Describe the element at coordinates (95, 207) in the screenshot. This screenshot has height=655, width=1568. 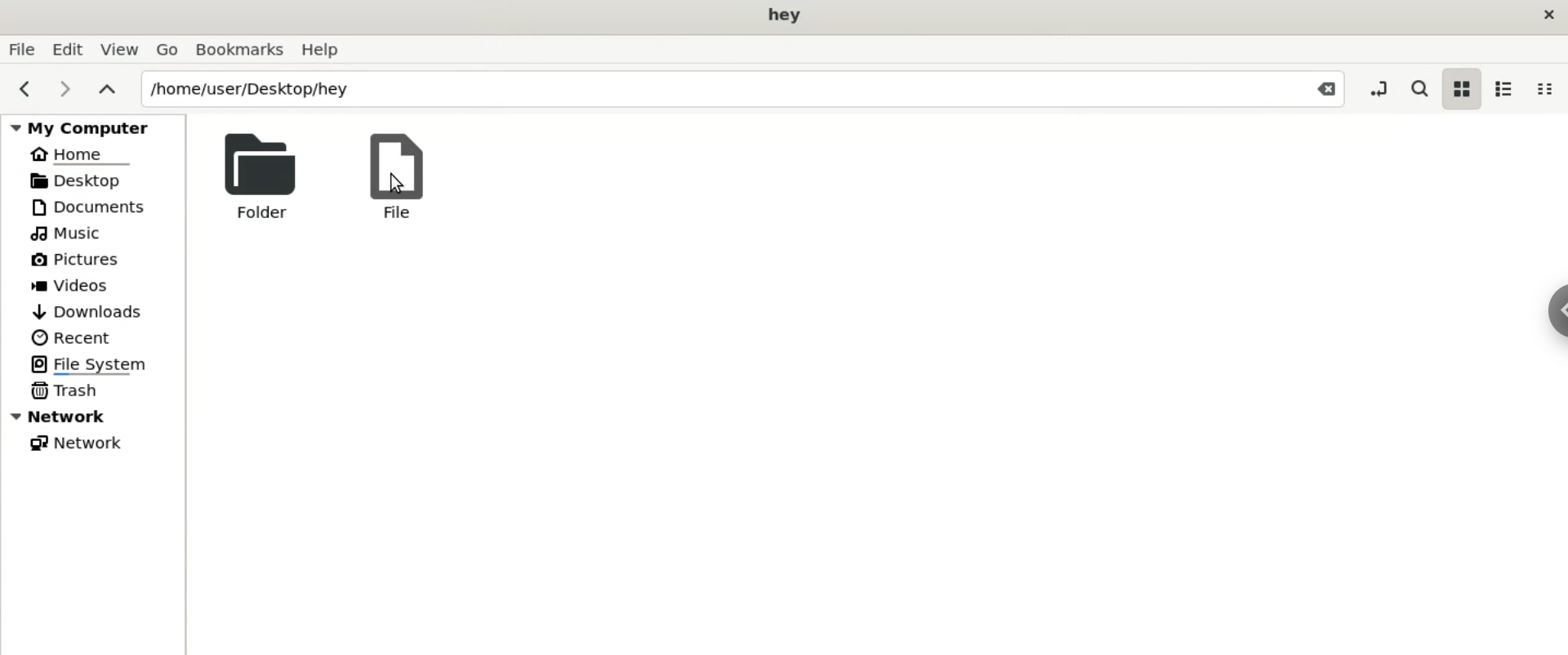
I see `documents` at that location.